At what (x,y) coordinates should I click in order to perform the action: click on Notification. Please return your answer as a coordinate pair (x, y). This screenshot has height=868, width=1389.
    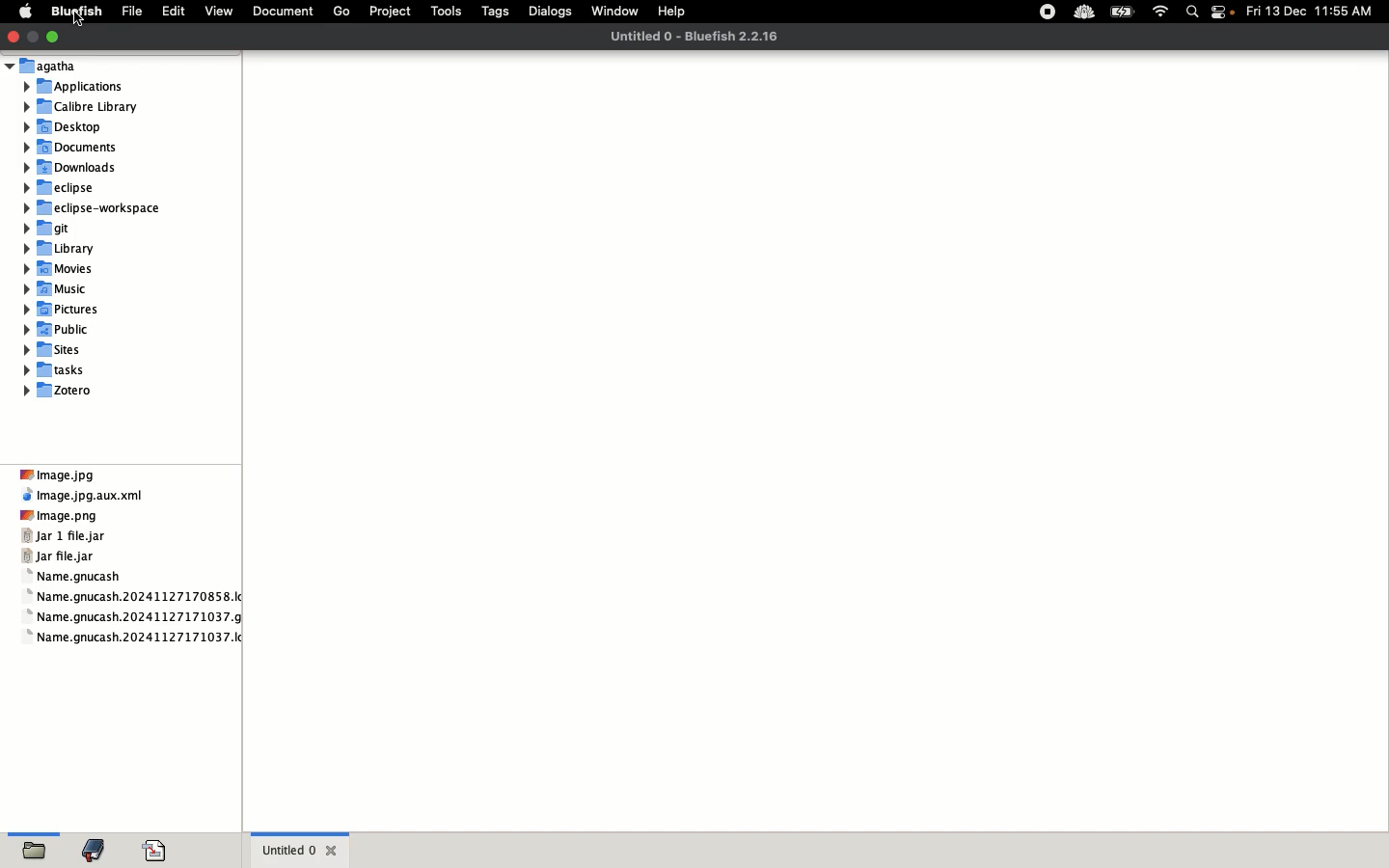
    Looking at the image, I should click on (1224, 14).